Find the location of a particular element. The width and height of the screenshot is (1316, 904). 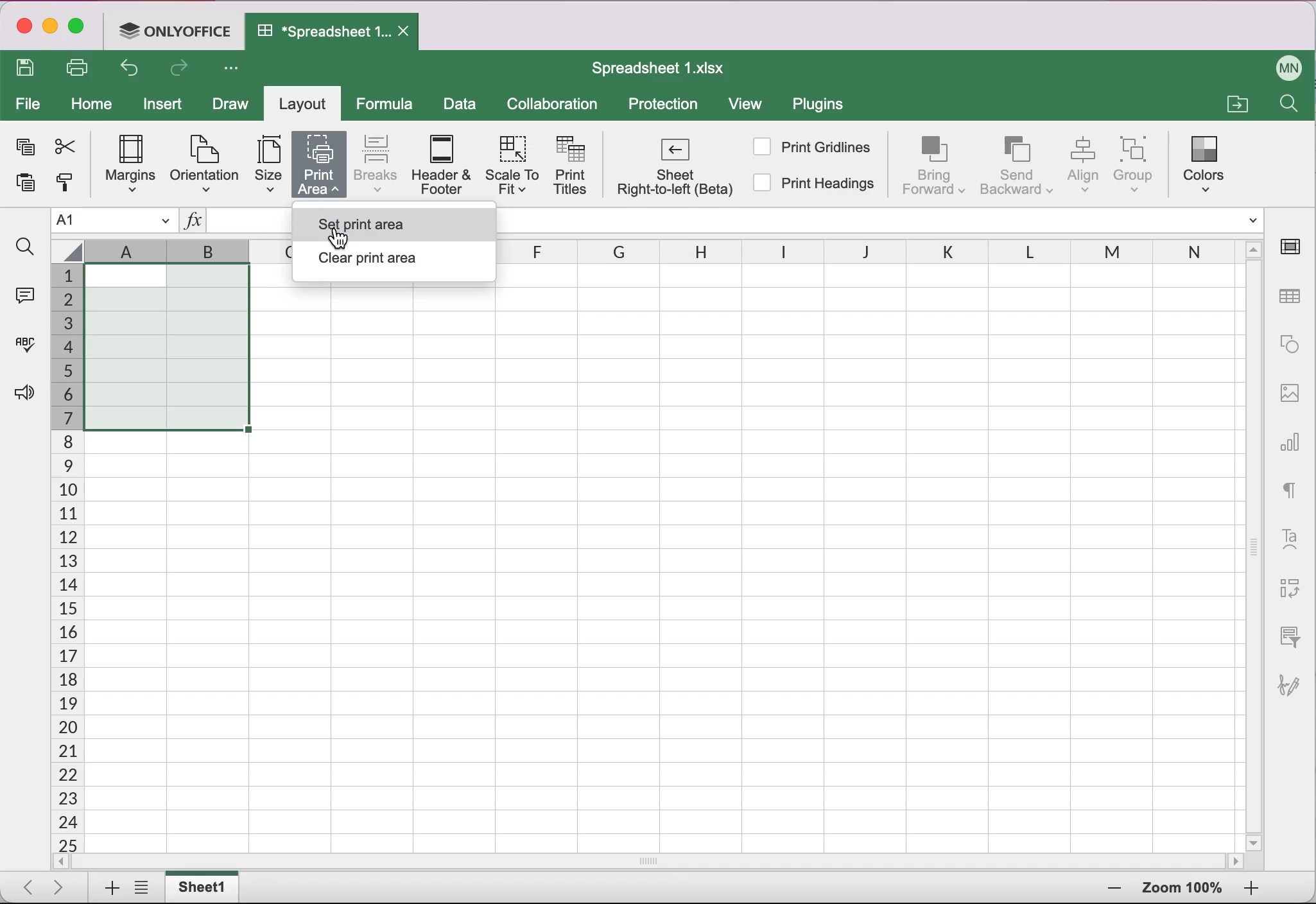

list of sheets is located at coordinates (145, 889).